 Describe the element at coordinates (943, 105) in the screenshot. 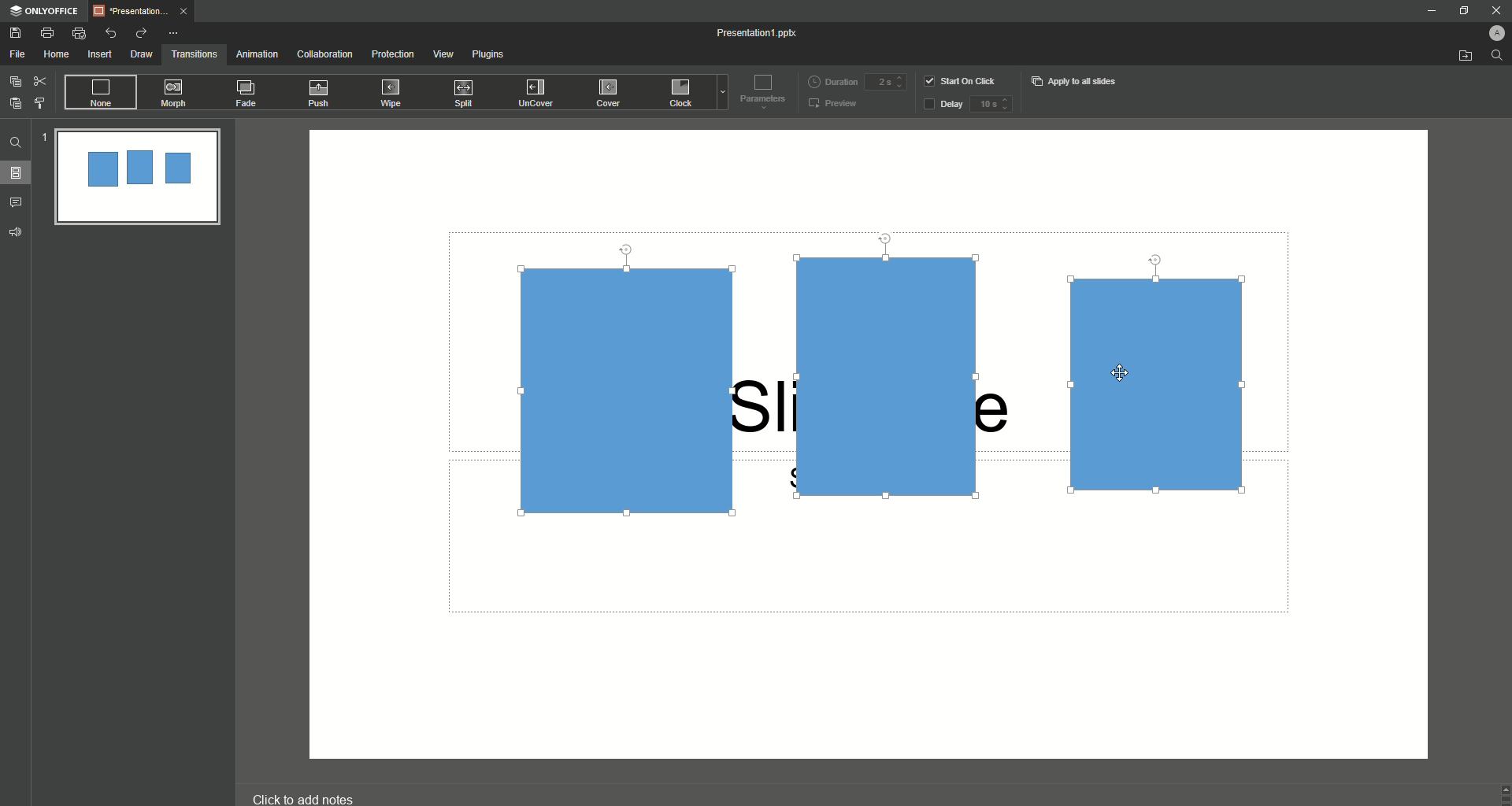

I see `Delay button` at that location.